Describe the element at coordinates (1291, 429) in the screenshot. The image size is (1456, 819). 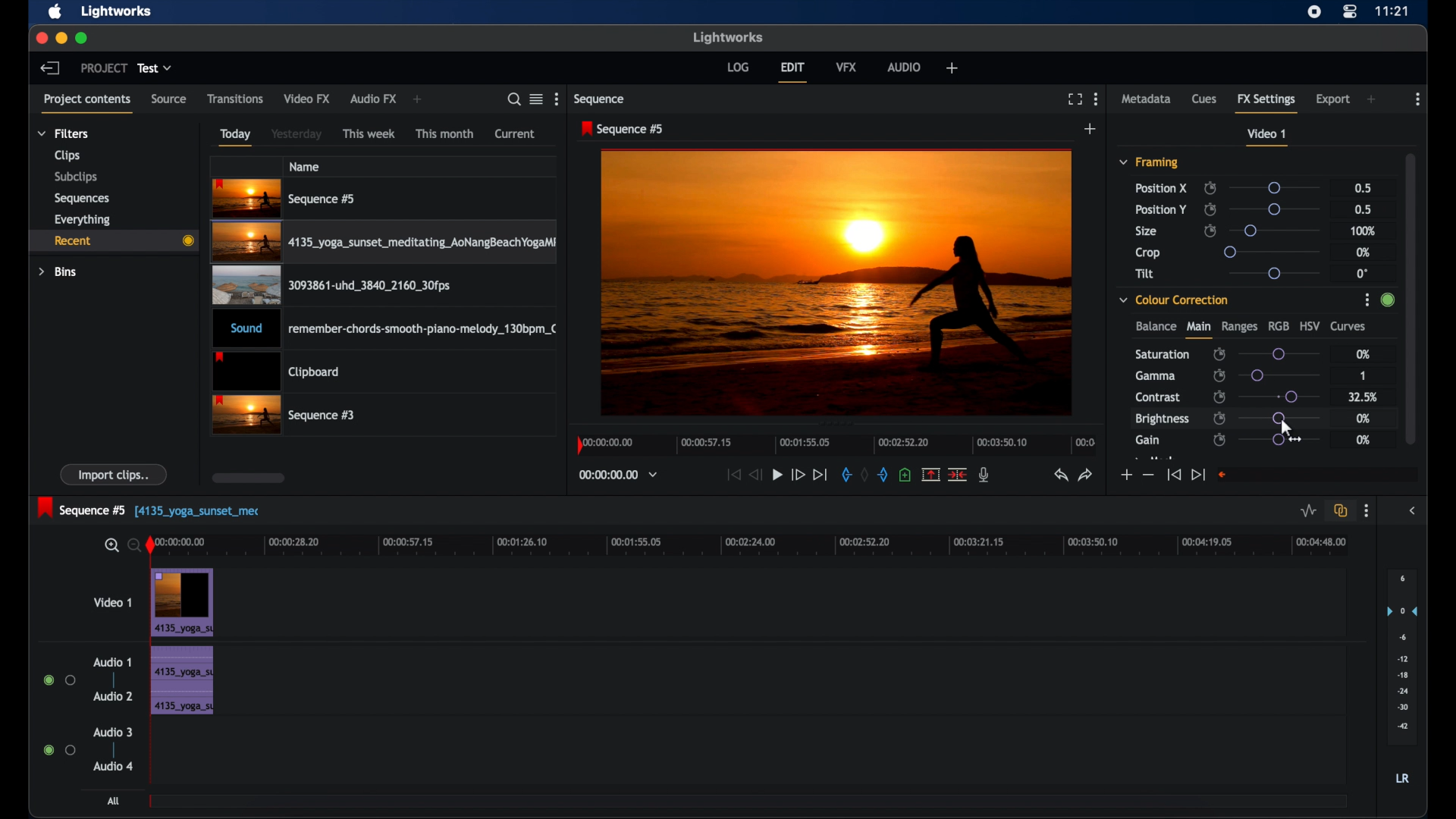
I see `cursor` at that location.